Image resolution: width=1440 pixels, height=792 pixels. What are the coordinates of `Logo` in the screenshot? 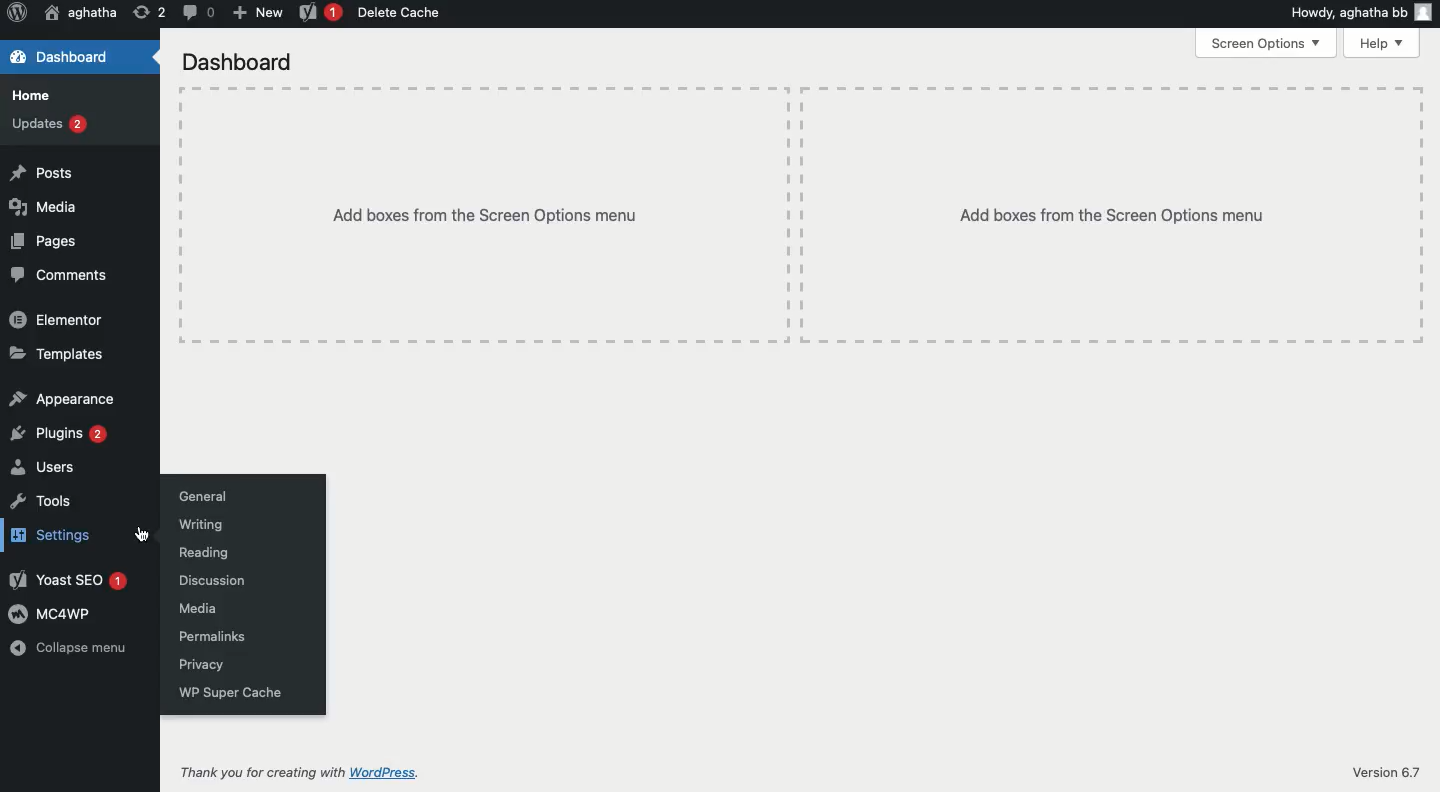 It's located at (17, 14).